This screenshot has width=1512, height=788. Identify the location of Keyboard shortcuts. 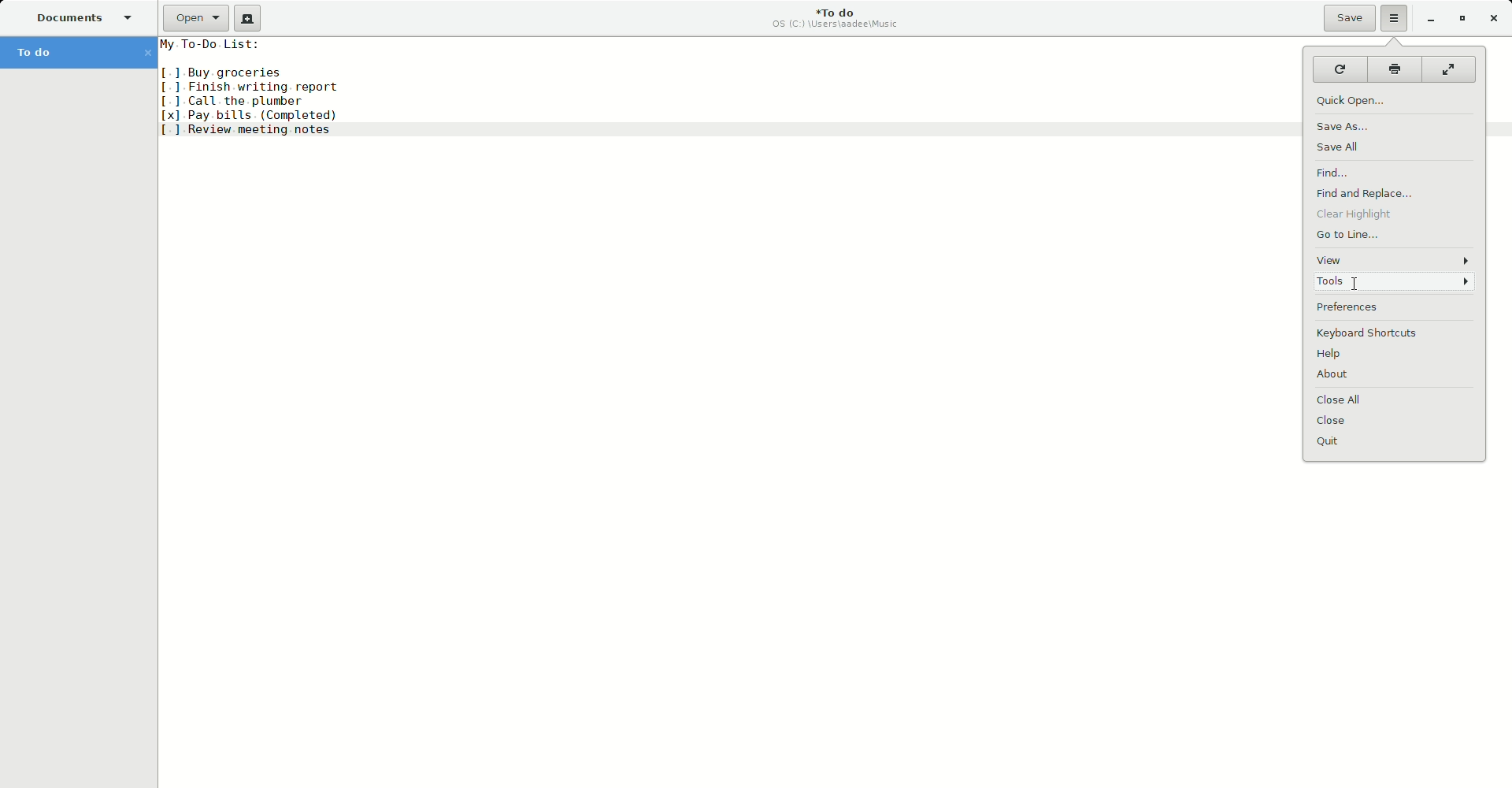
(1380, 335).